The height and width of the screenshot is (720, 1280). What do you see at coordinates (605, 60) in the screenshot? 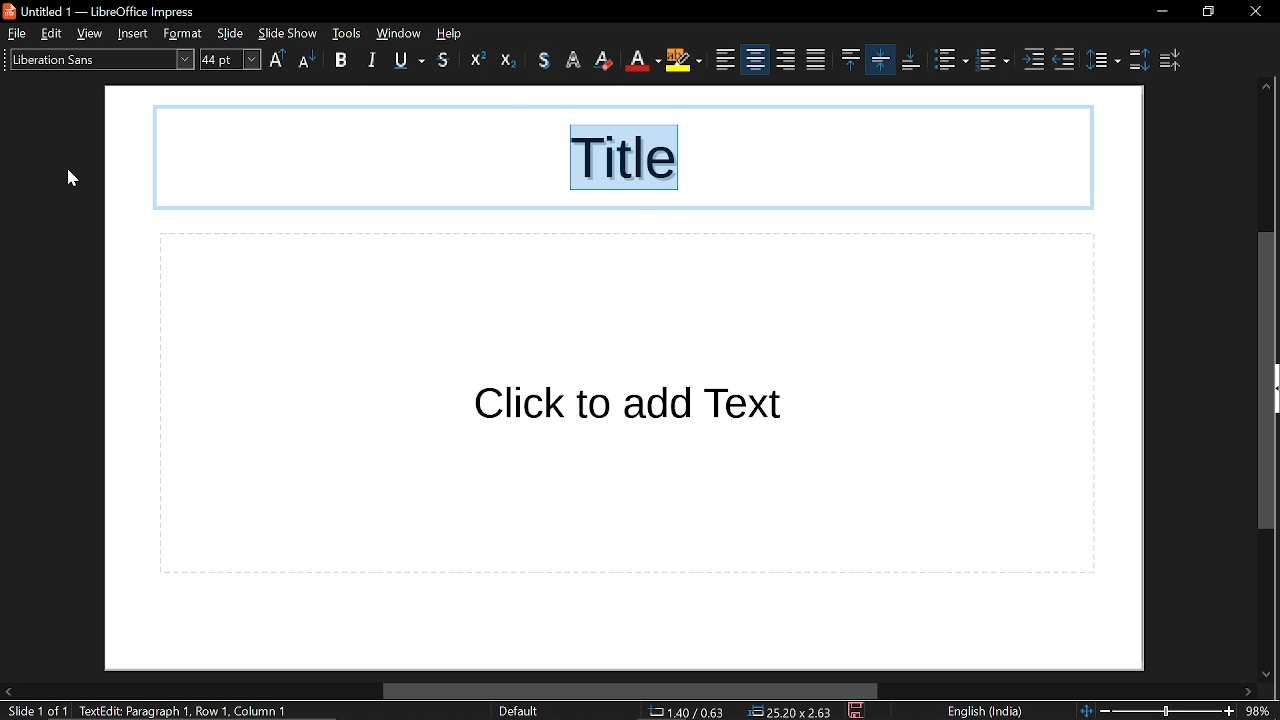
I see `text color` at bounding box center [605, 60].